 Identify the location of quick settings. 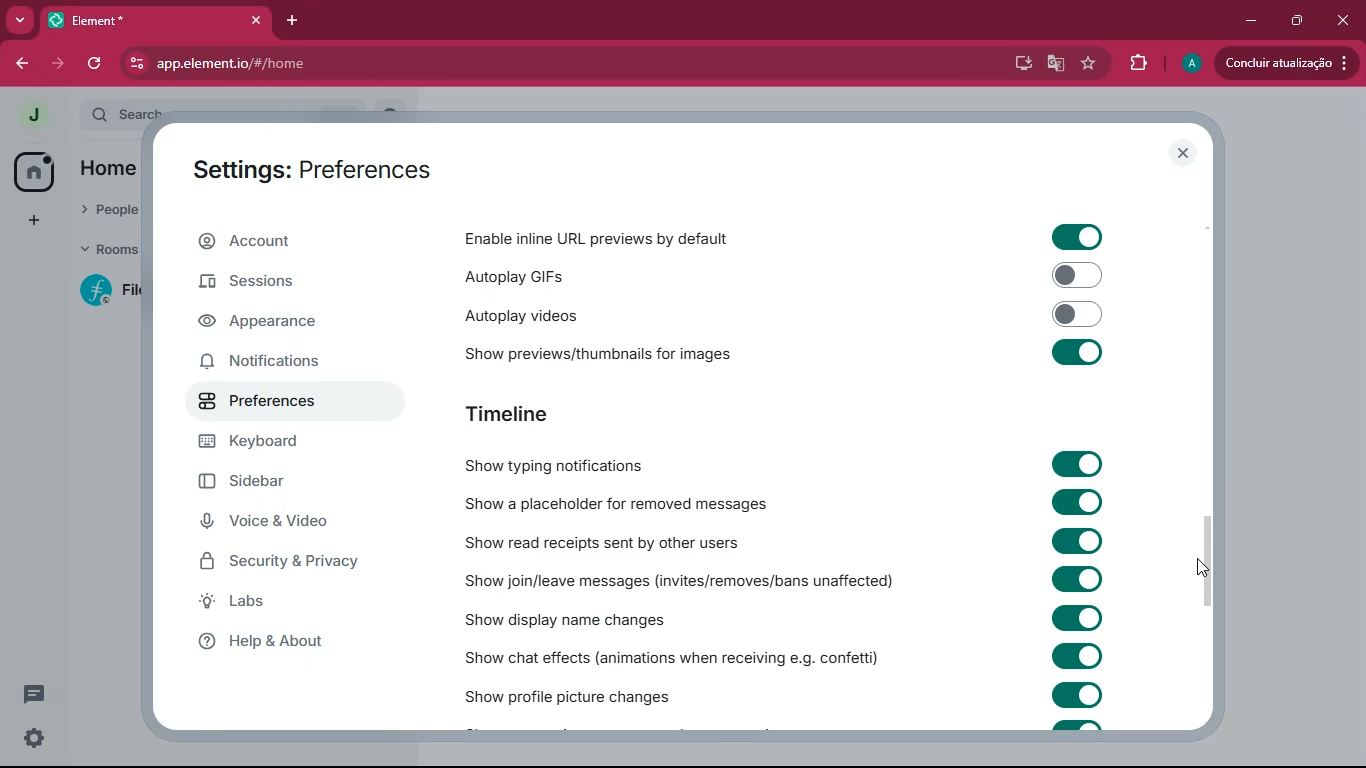
(34, 737).